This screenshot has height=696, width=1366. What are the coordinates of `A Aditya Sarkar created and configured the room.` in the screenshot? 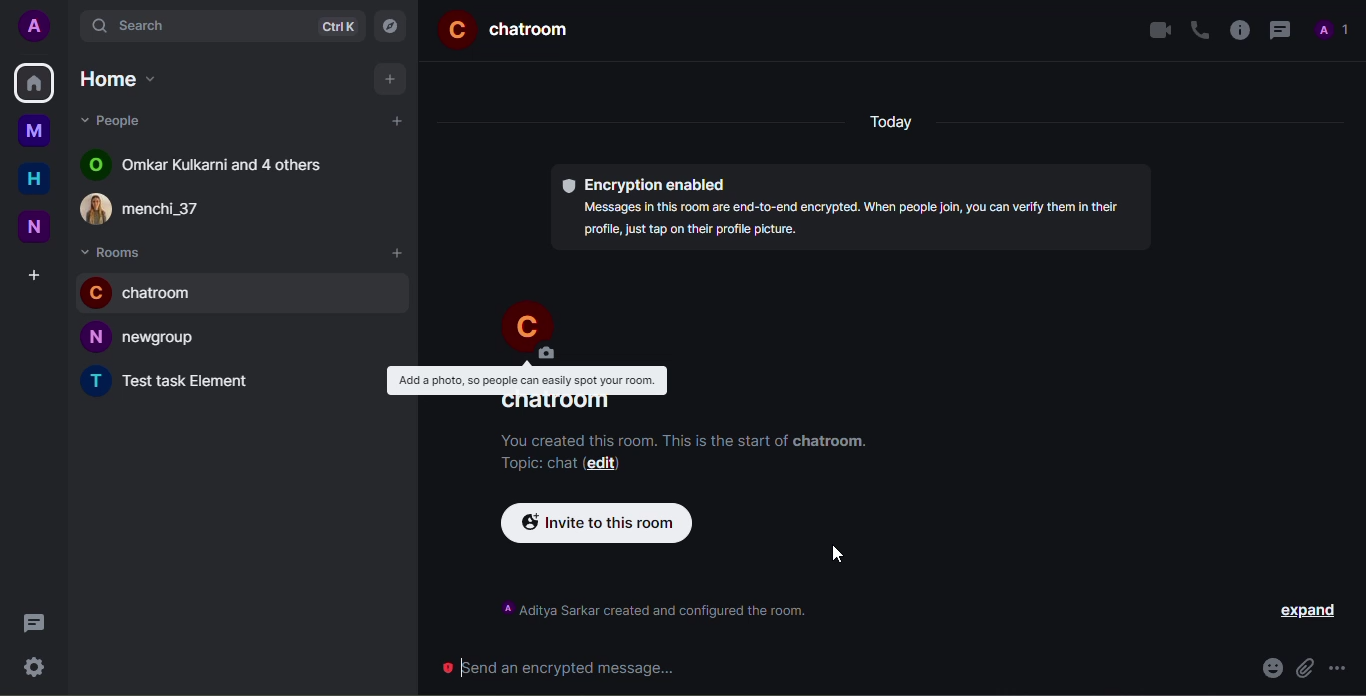 It's located at (683, 610).